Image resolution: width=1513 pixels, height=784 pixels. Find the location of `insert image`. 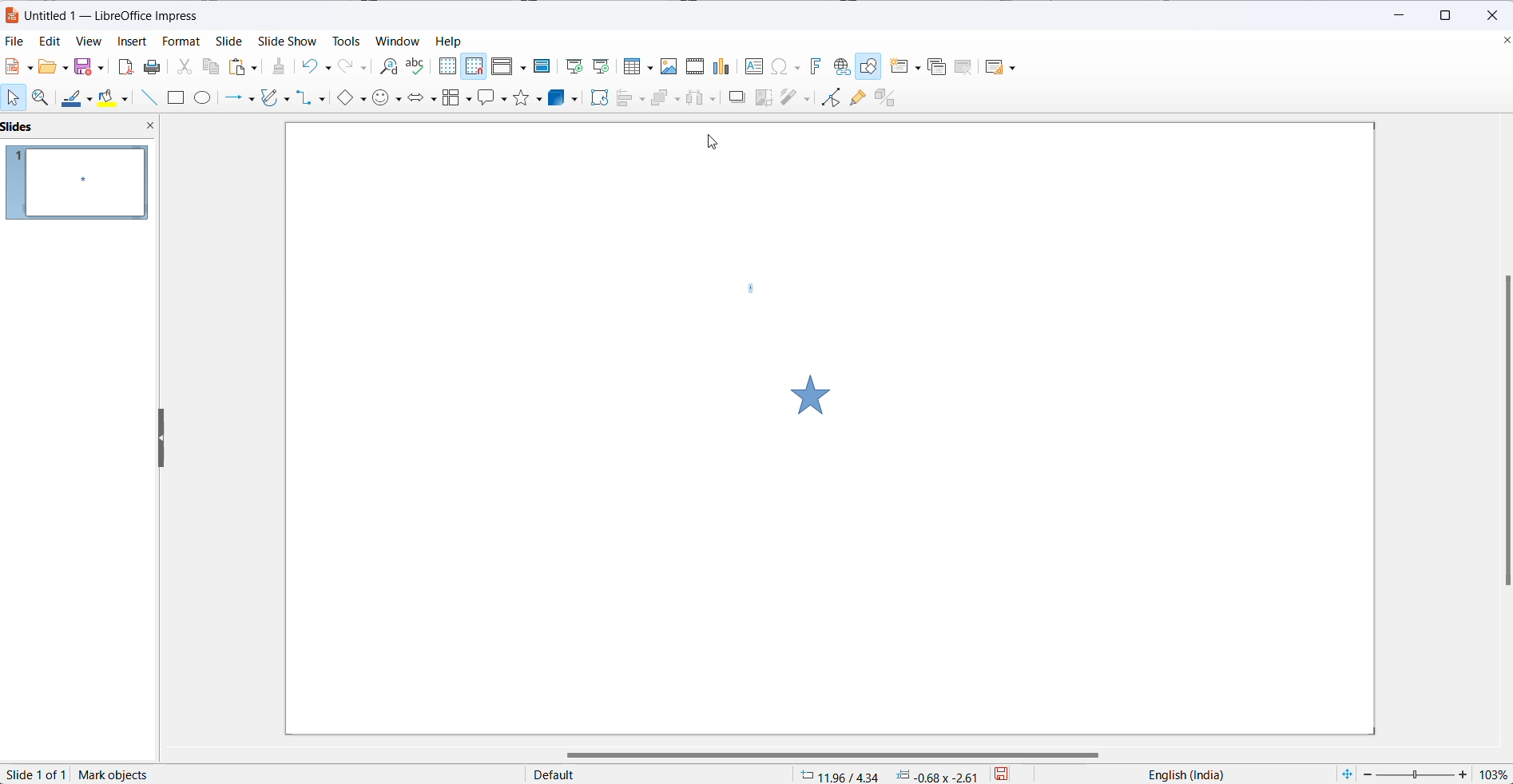

insert image is located at coordinates (666, 67).